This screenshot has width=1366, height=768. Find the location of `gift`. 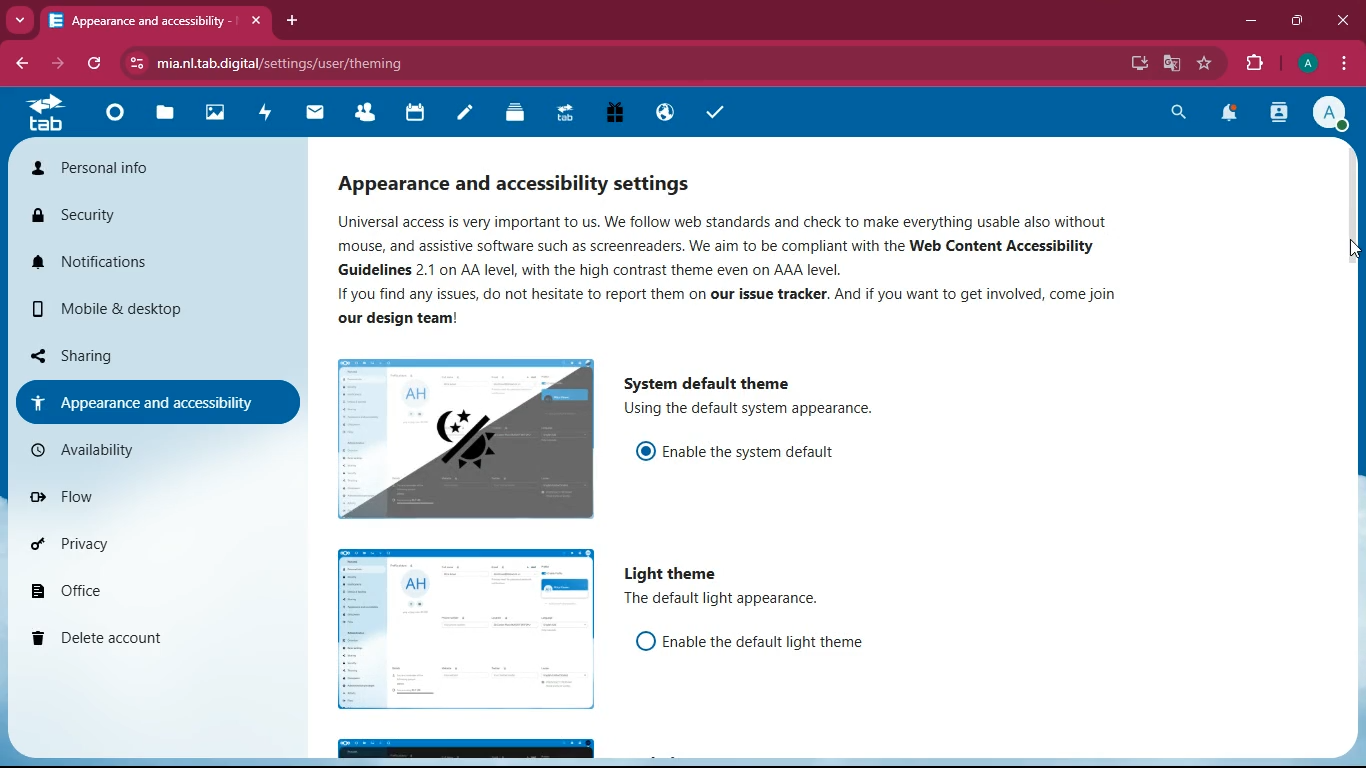

gift is located at coordinates (616, 112).